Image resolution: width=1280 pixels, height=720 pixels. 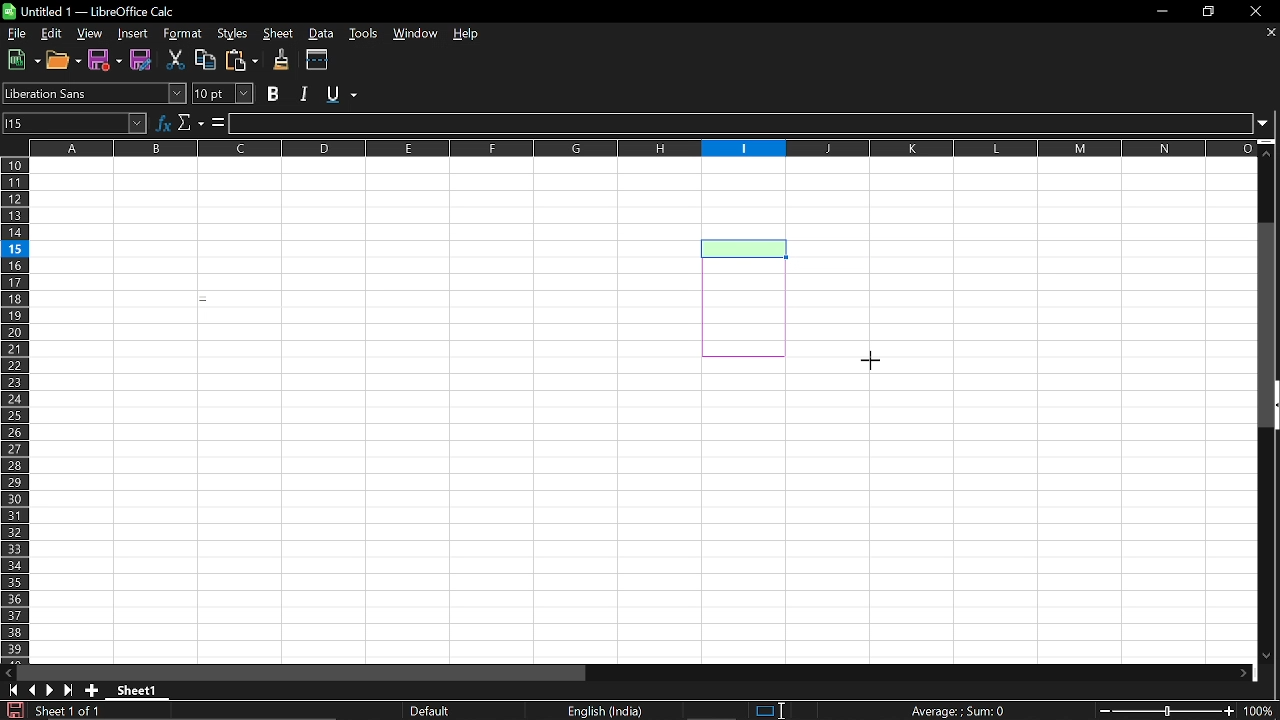 I want to click on View, so click(x=90, y=34).